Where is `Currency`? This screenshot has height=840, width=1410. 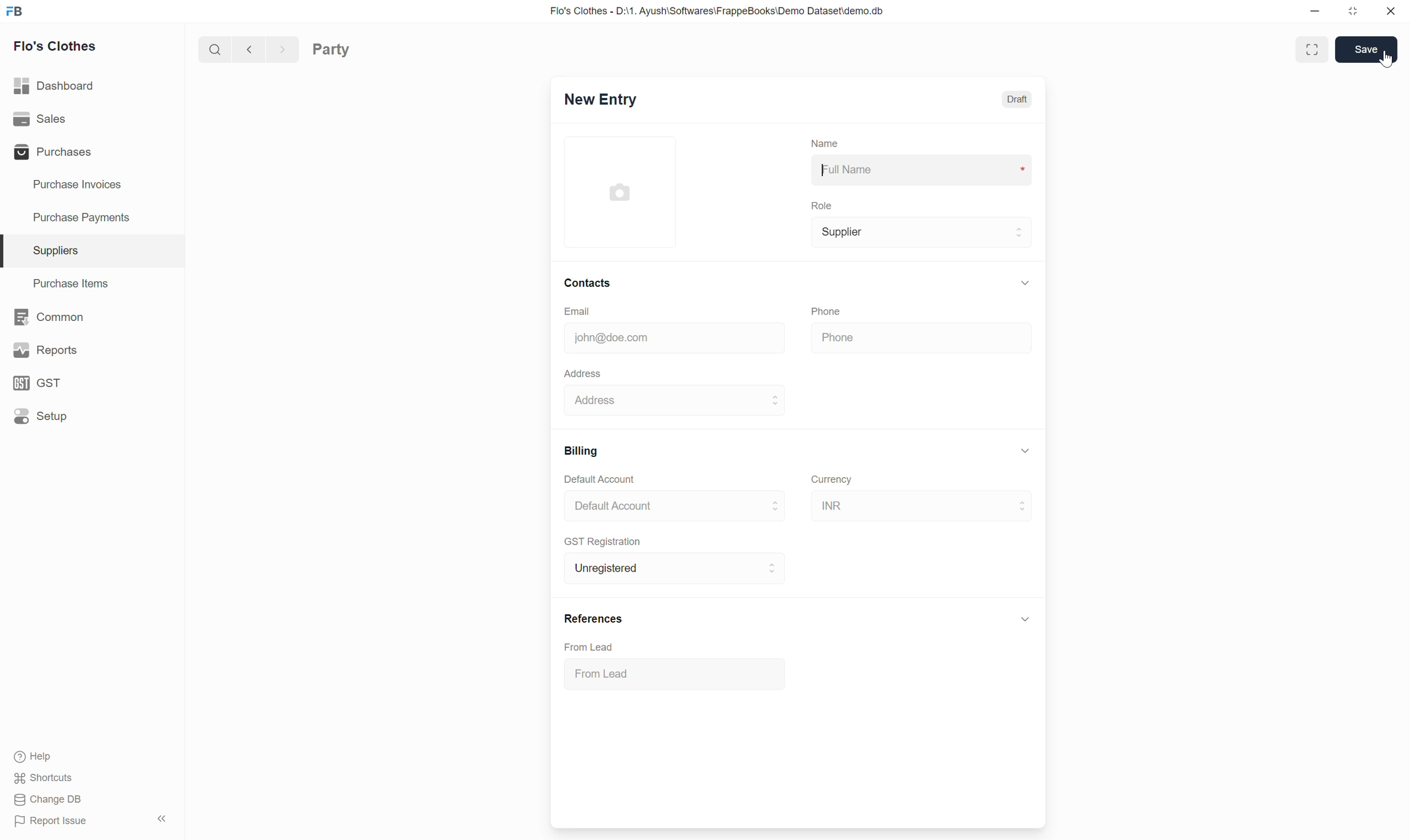
Currency is located at coordinates (832, 480).